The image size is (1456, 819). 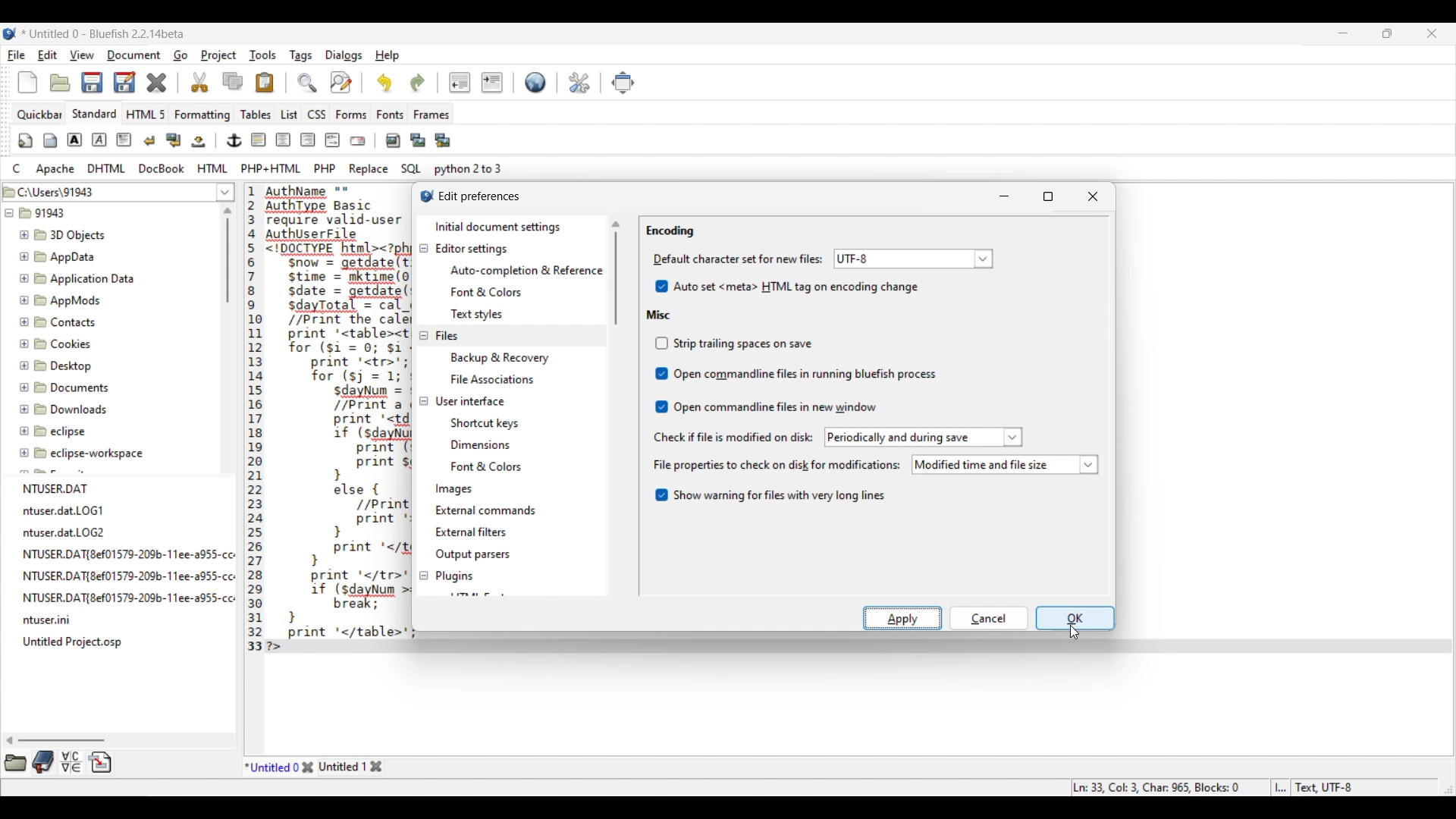 I want to click on External filters, so click(x=474, y=532).